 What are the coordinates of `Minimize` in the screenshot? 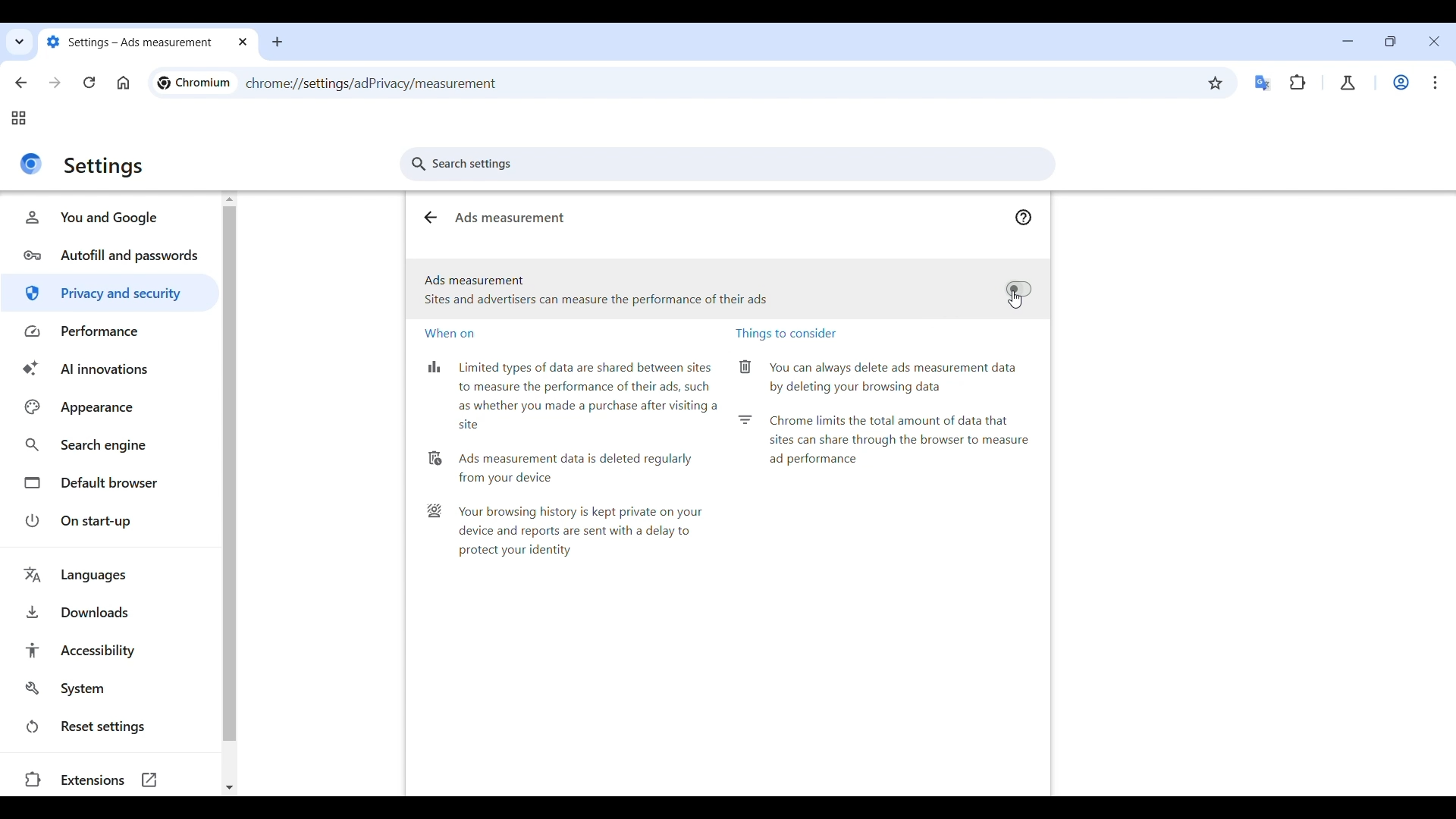 It's located at (1348, 41).